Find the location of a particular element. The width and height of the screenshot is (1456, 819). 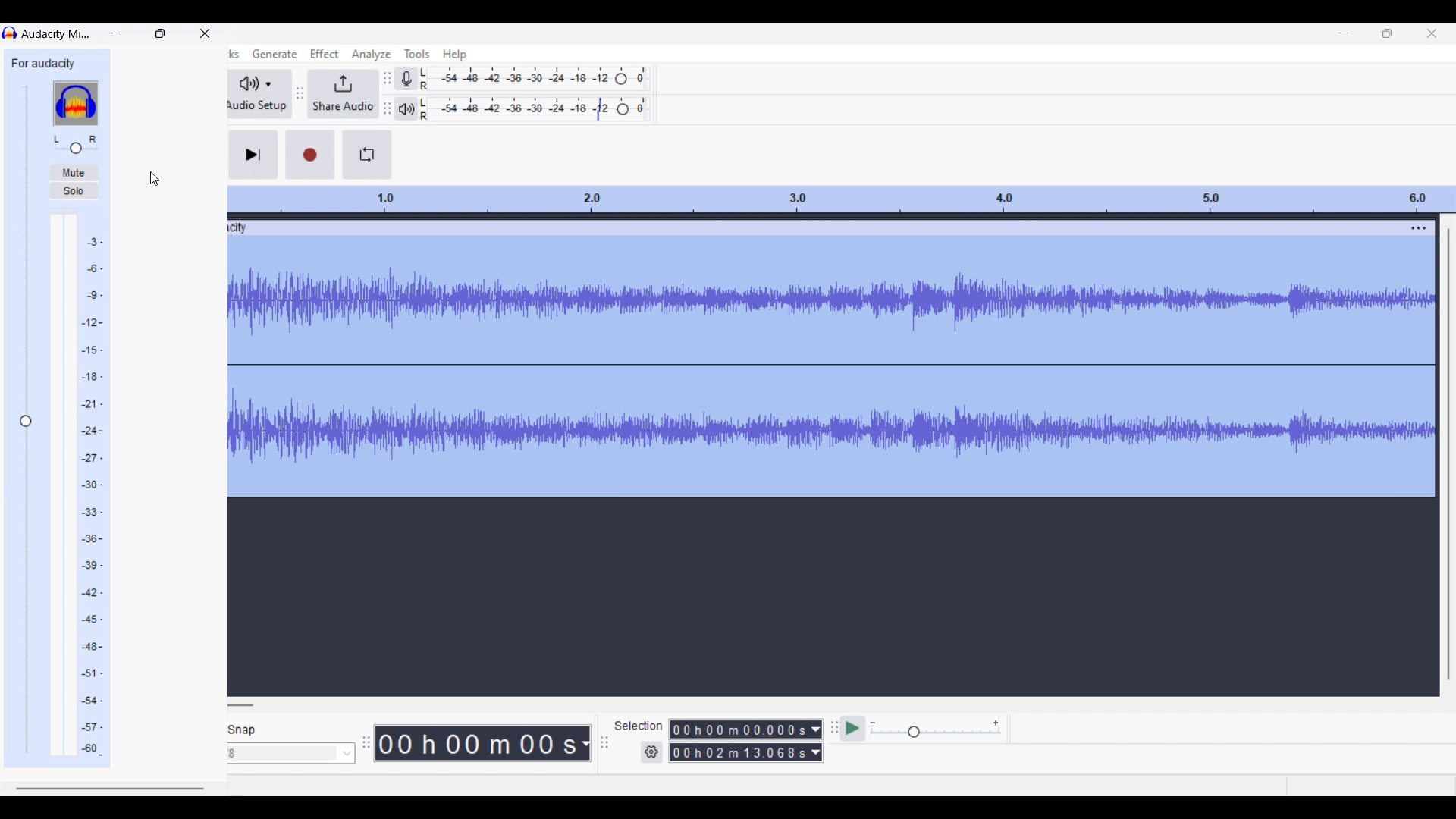

Tools menu is located at coordinates (417, 54).